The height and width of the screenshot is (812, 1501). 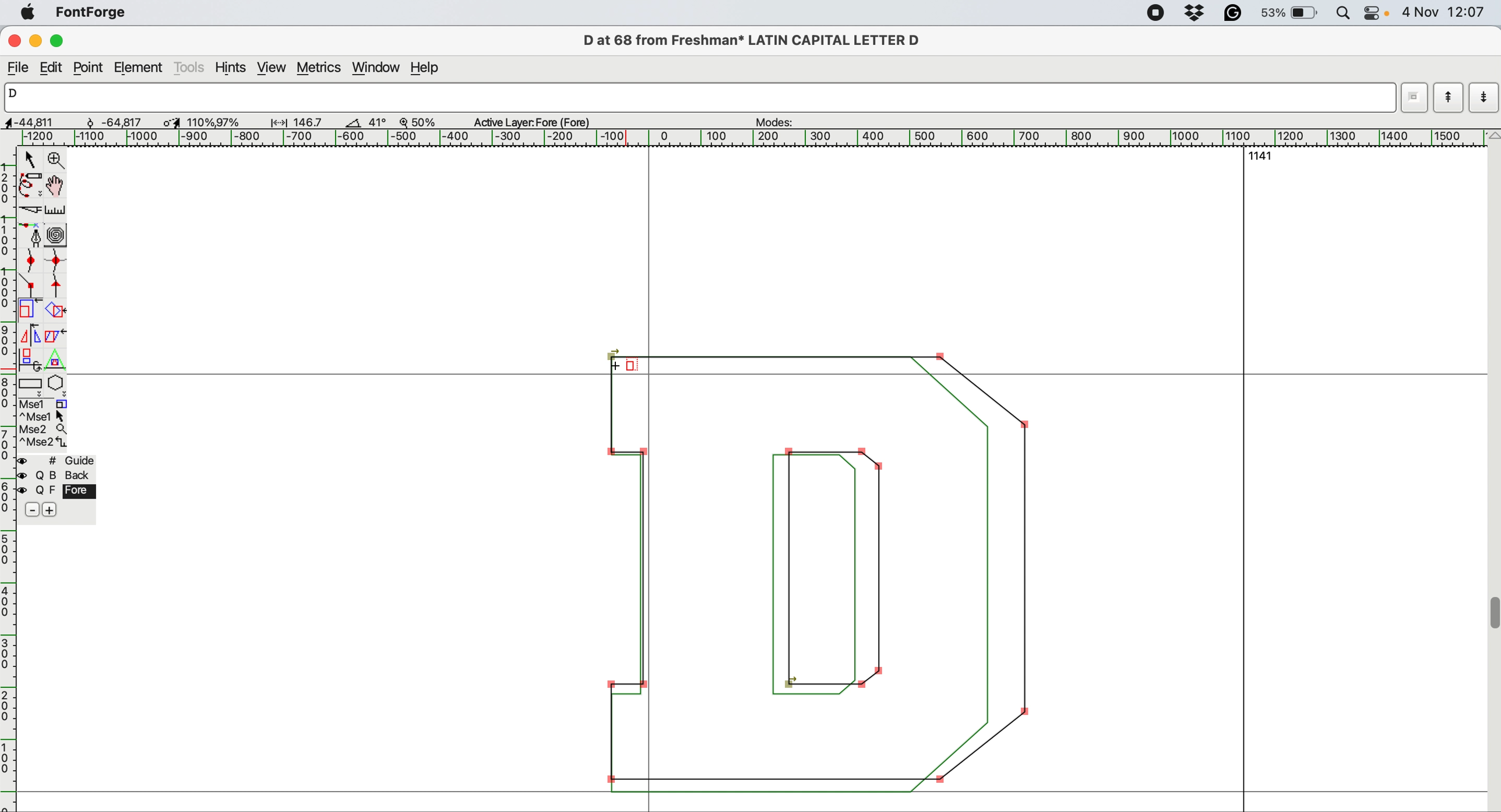 What do you see at coordinates (45, 416) in the screenshot?
I see `^Mse1` at bounding box center [45, 416].